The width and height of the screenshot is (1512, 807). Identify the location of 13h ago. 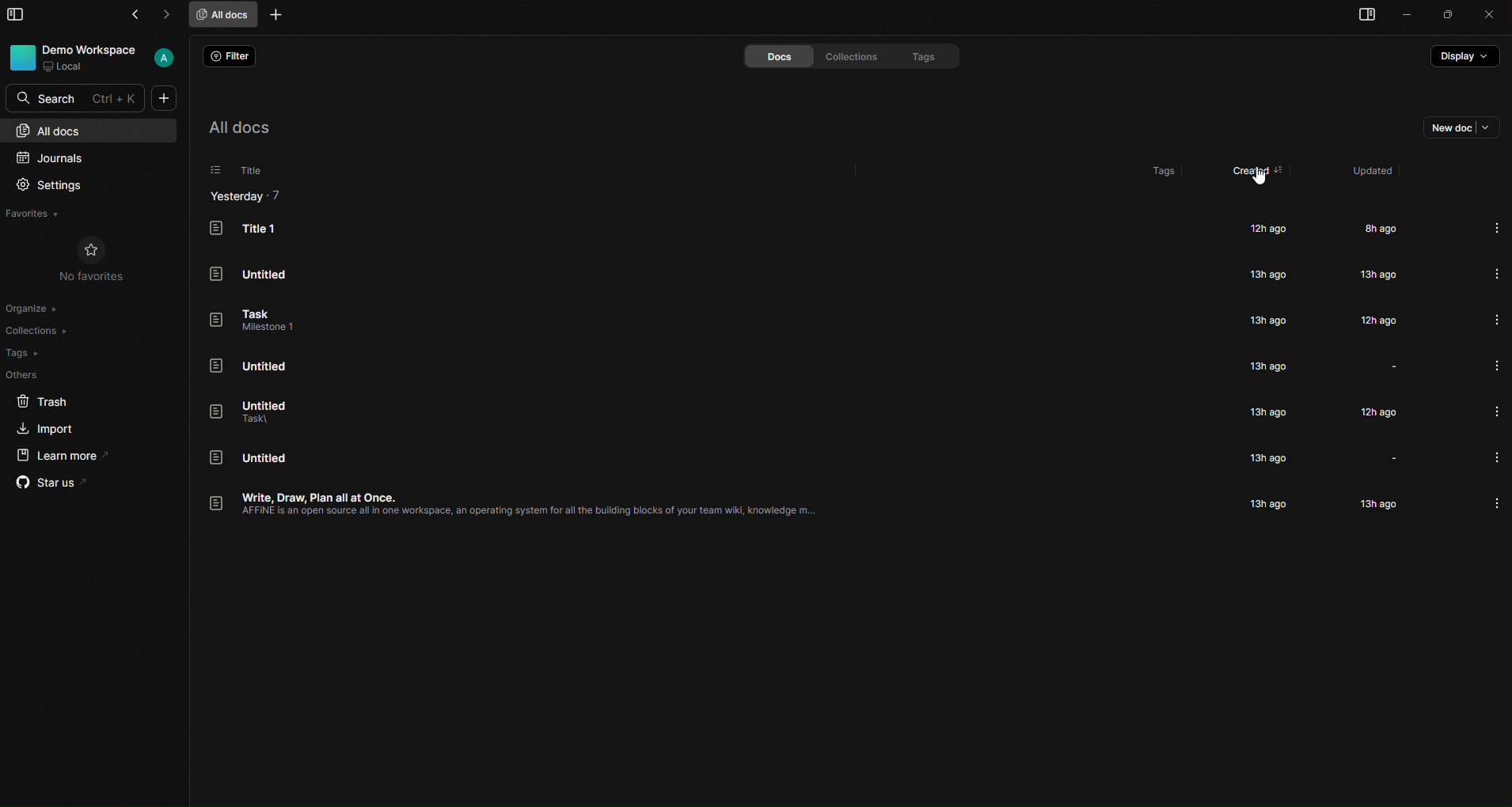
(1270, 457).